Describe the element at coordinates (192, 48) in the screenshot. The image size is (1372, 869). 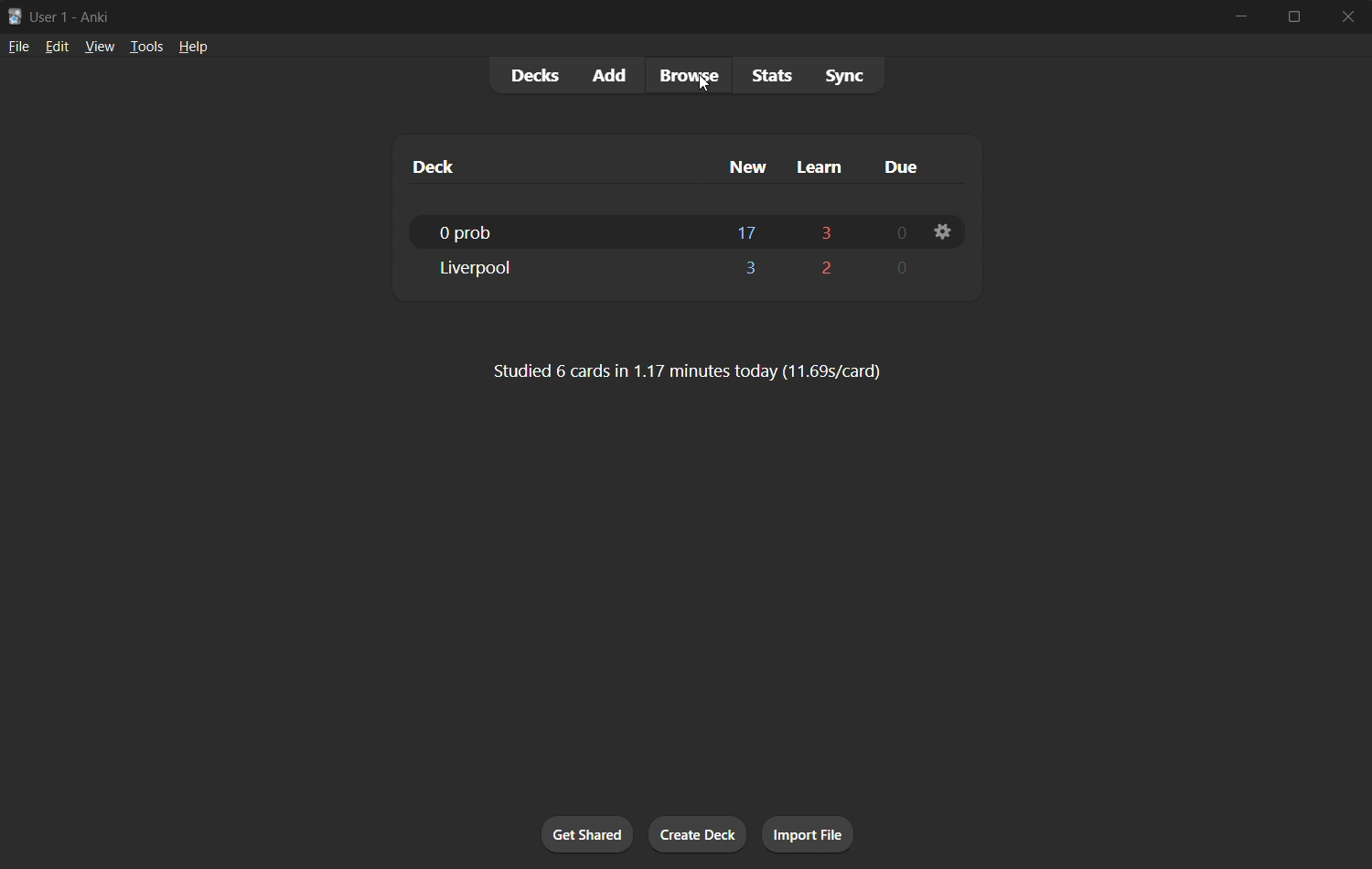
I see `help` at that location.